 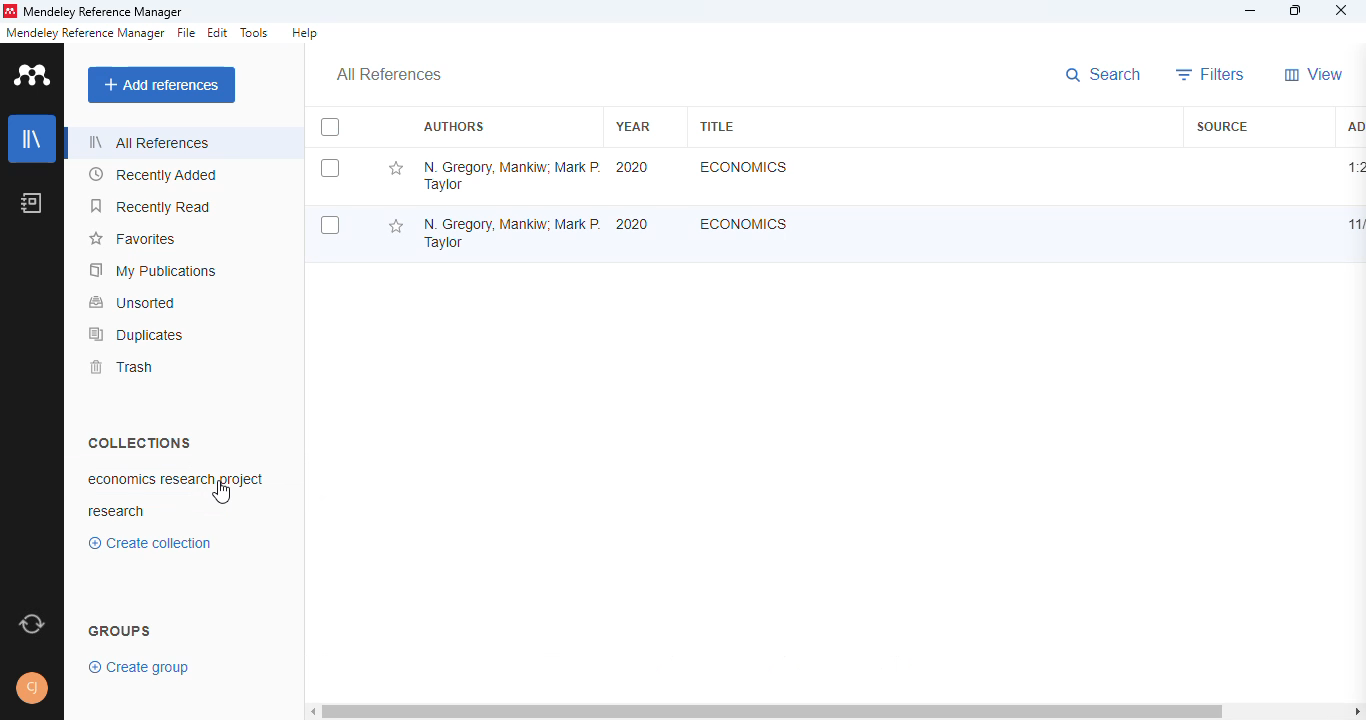 What do you see at coordinates (186, 33) in the screenshot?
I see `file` at bounding box center [186, 33].